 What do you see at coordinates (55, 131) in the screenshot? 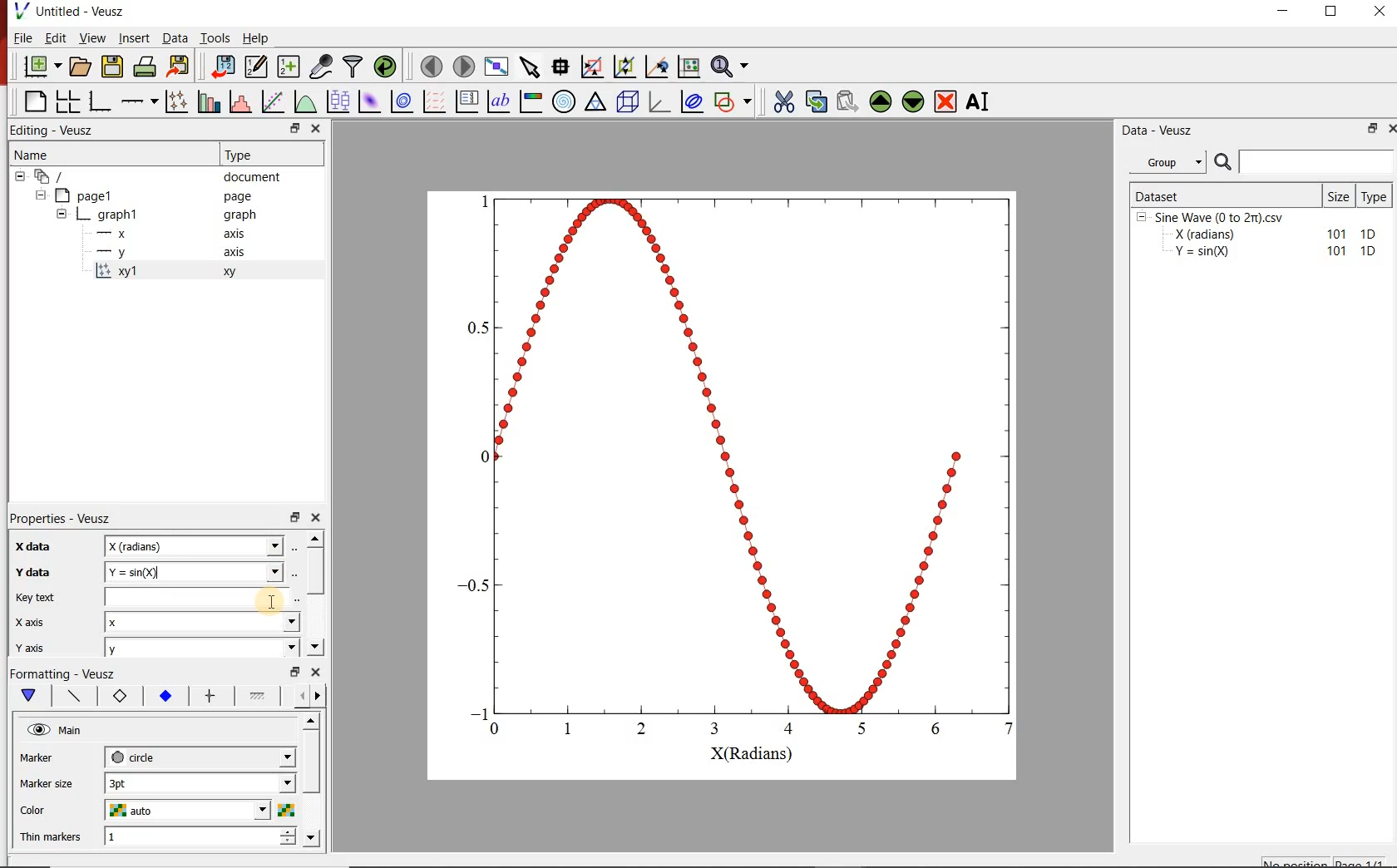
I see `Editing - Veusz` at bounding box center [55, 131].